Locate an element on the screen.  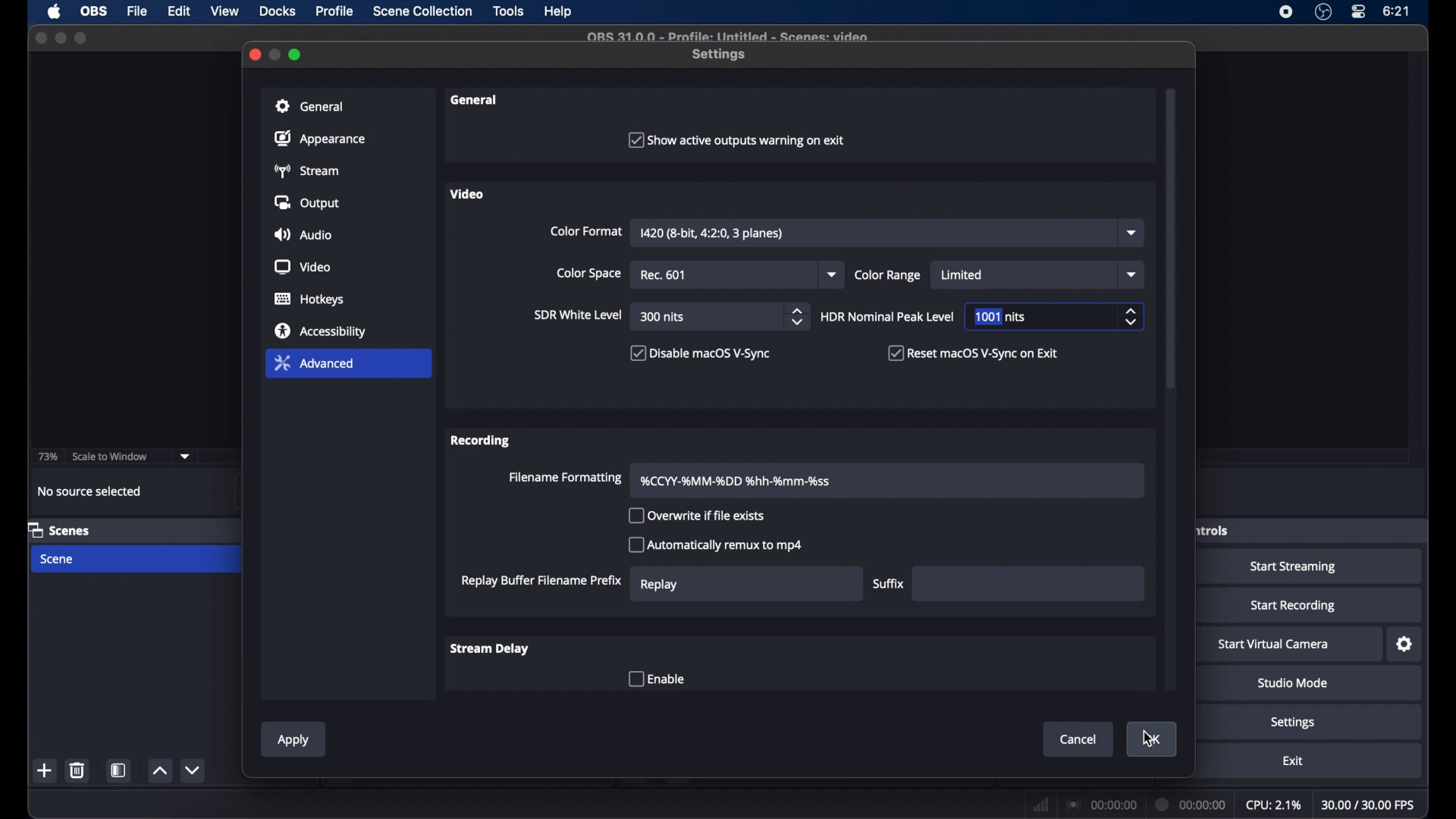
close is located at coordinates (255, 54).